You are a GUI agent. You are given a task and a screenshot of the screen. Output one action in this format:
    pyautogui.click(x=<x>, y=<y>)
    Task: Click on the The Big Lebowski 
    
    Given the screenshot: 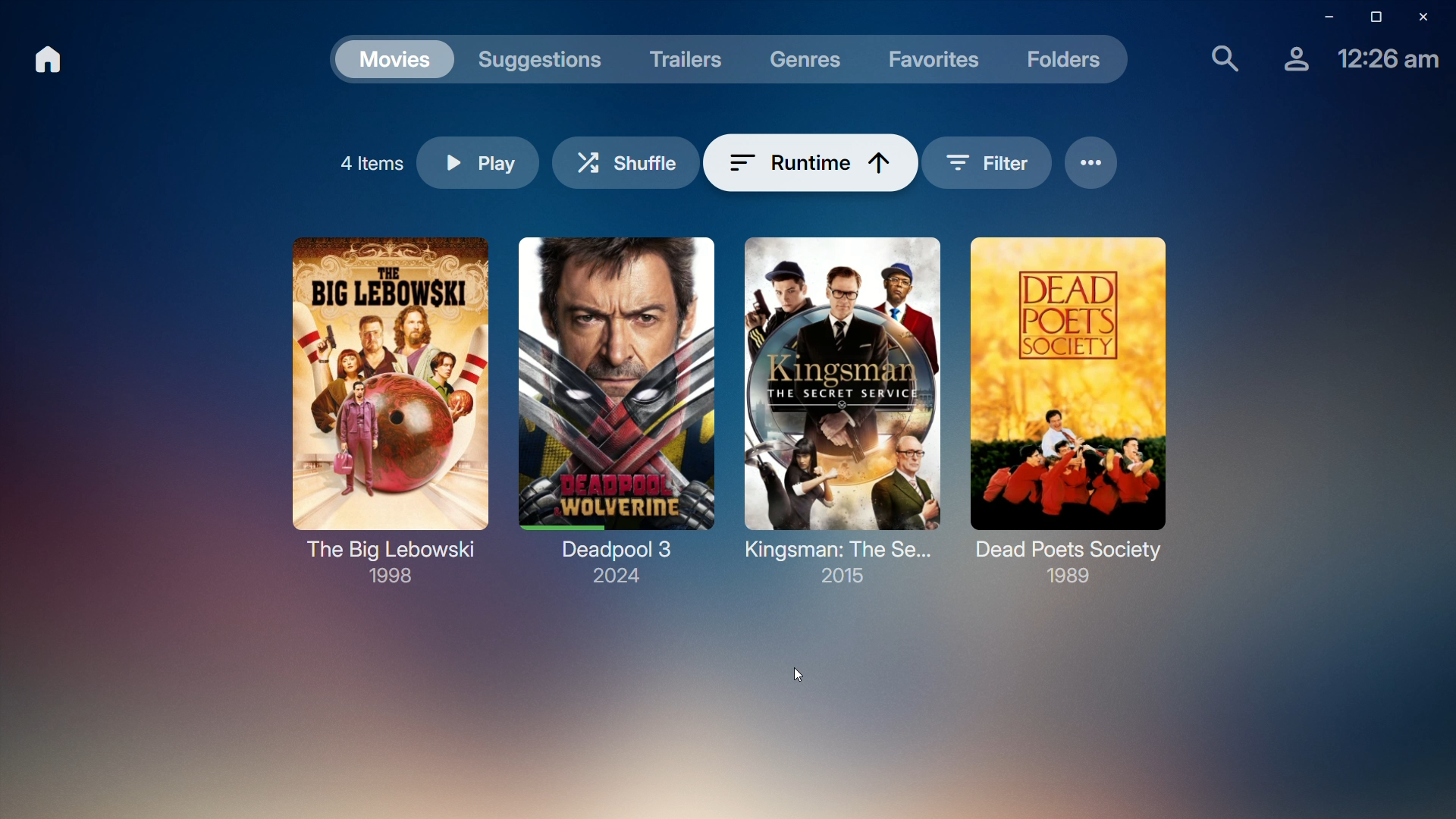 What is the action you would take?
    pyautogui.click(x=1067, y=409)
    